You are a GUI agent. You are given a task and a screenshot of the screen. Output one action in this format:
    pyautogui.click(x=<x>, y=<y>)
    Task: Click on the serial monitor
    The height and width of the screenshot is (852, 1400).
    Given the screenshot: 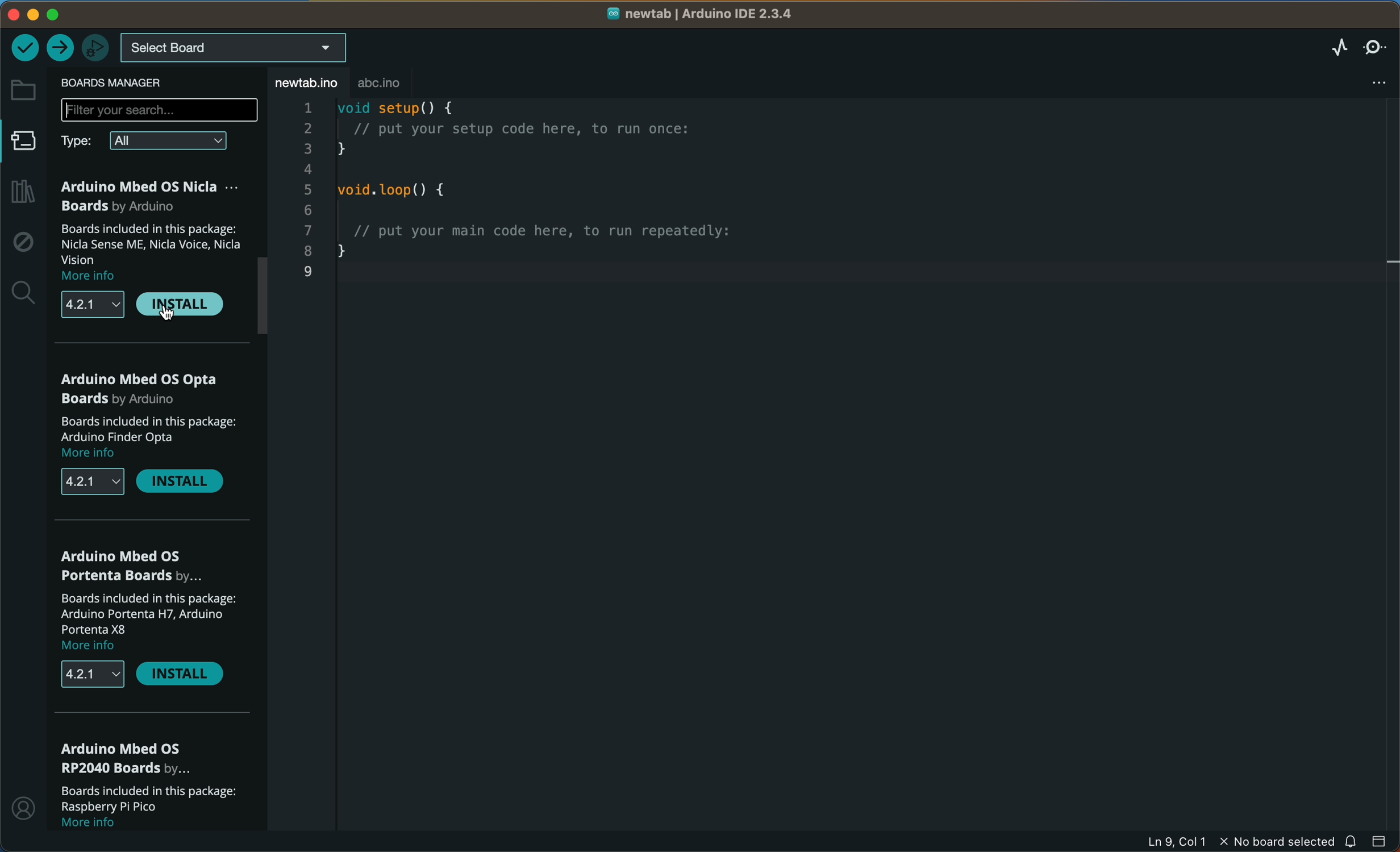 What is the action you would take?
    pyautogui.click(x=1376, y=48)
    